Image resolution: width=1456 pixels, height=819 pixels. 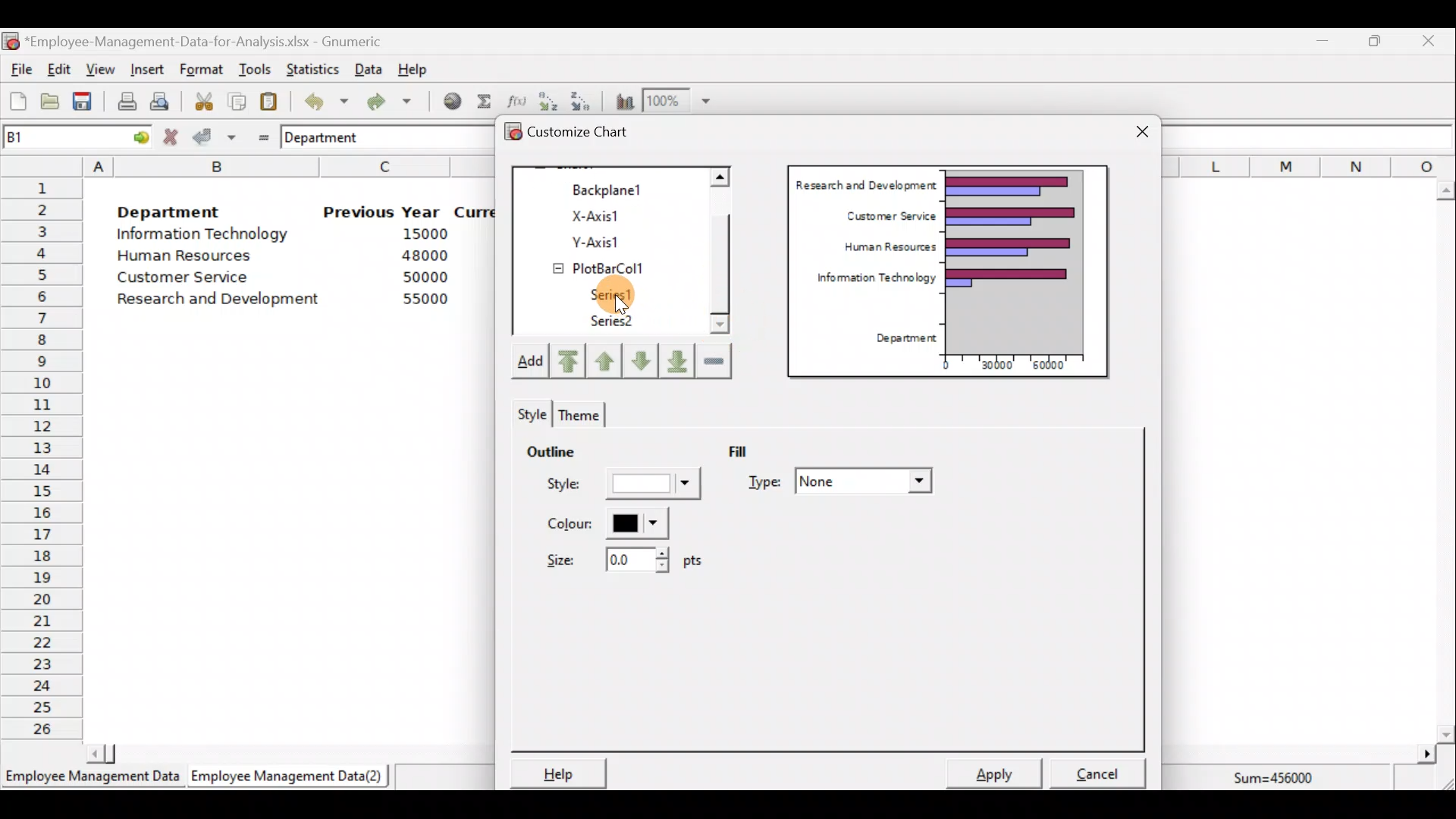 I want to click on Type, so click(x=843, y=483).